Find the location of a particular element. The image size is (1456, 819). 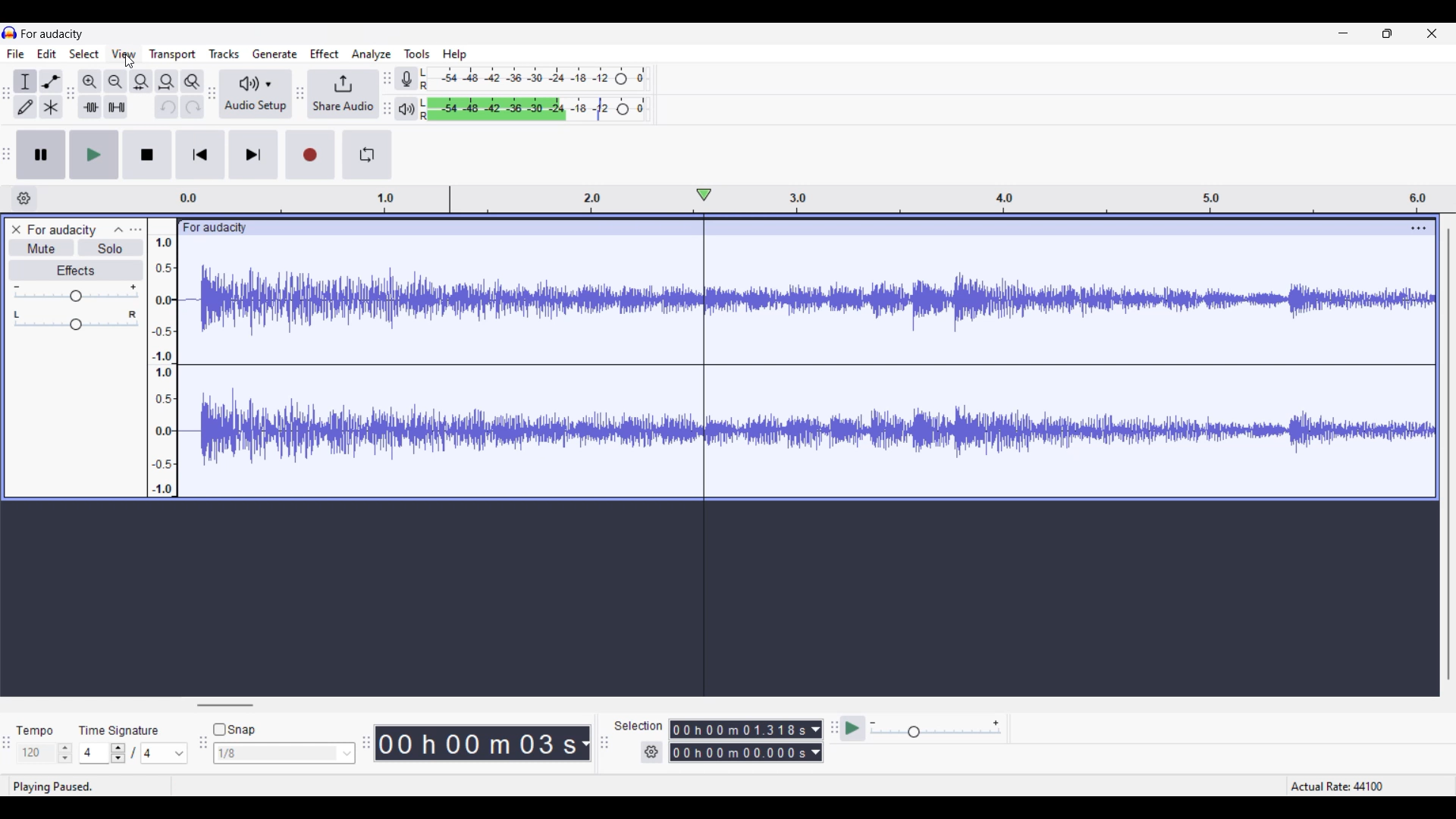

Help menu is located at coordinates (454, 55).